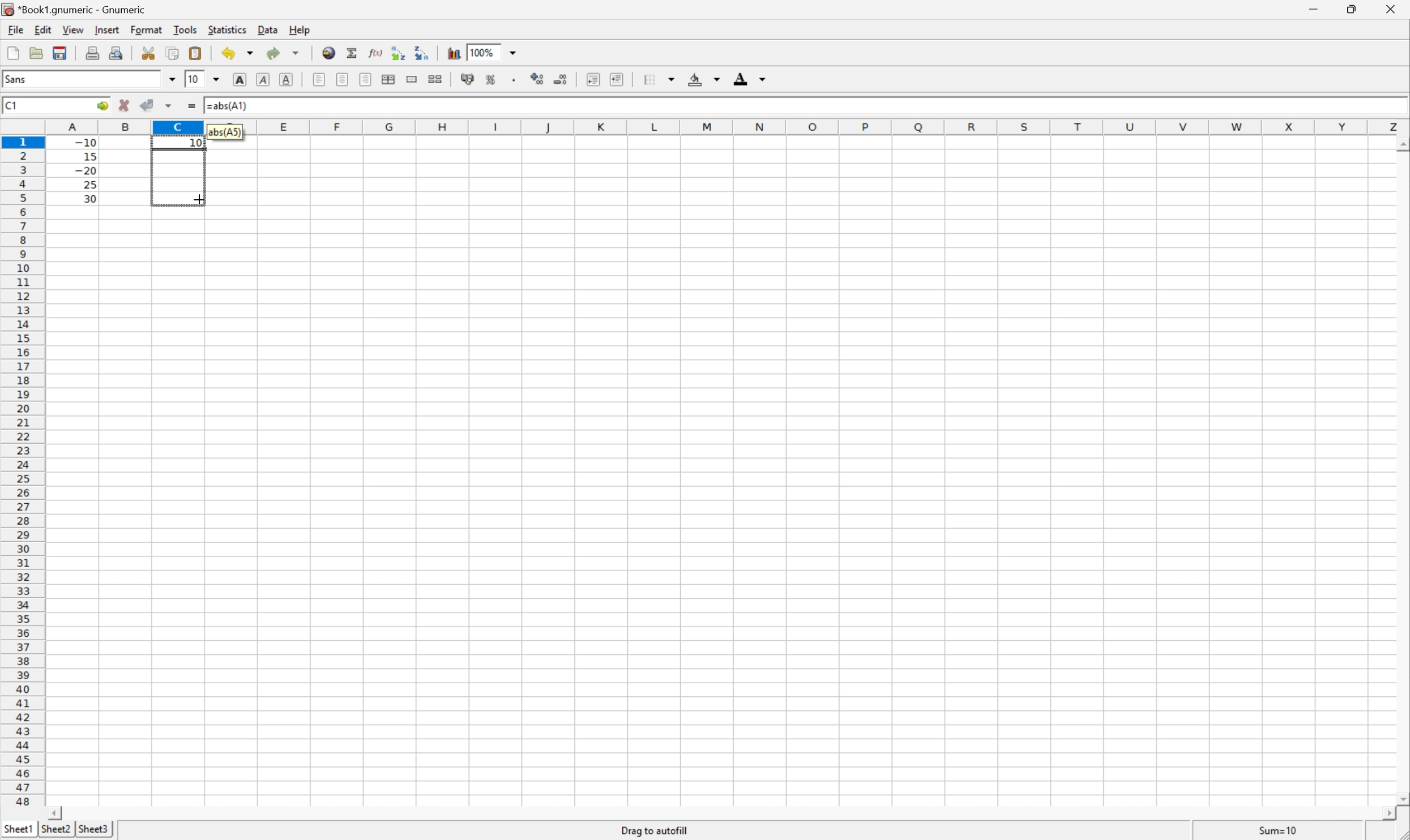 Image resolution: width=1410 pixels, height=840 pixels. What do you see at coordinates (516, 52) in the screenshot?
I see `Drop Down` at bounding box center [516, 52].